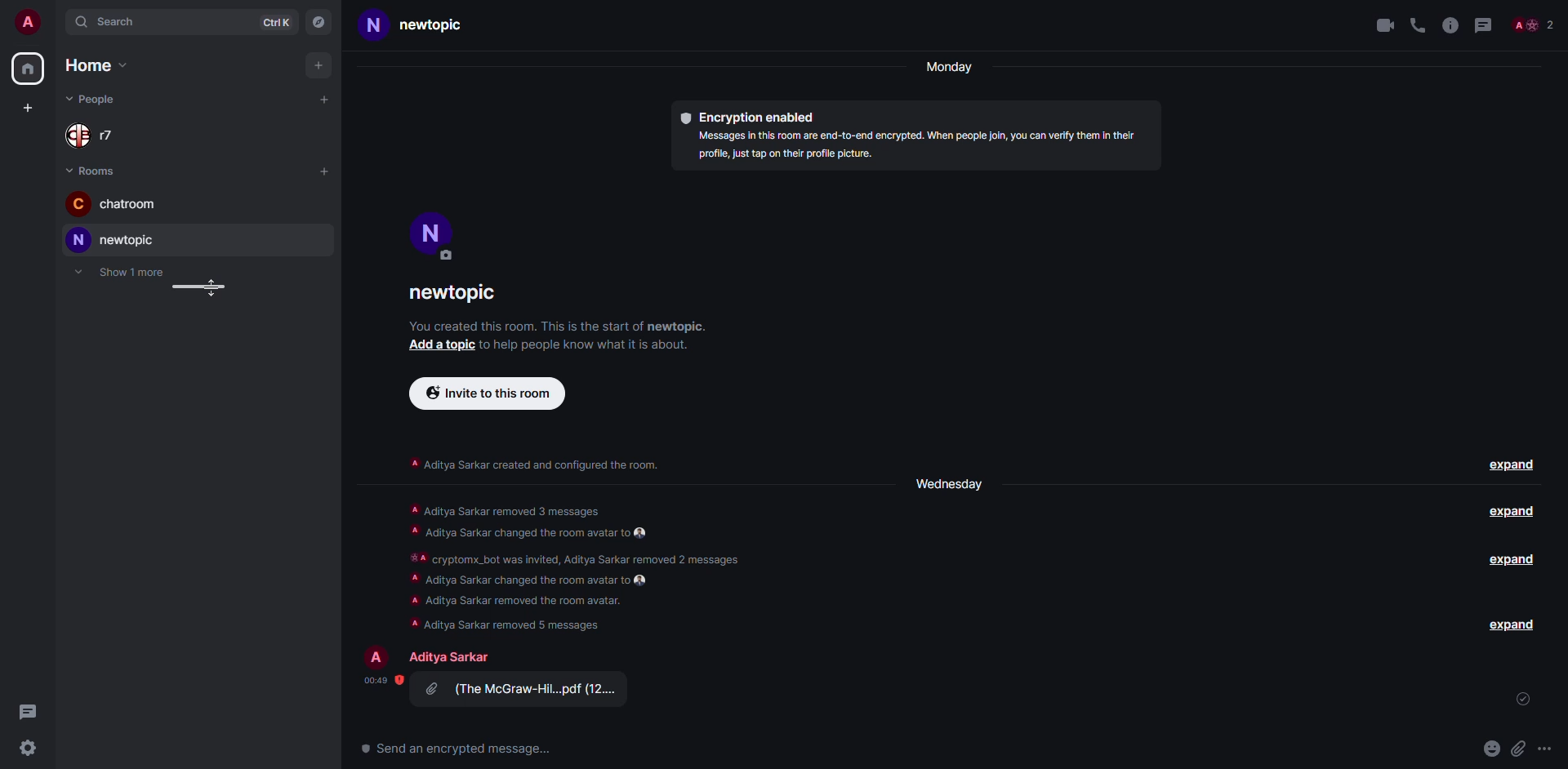  What do you see at coordinates (91, 170) in the screenshot?
I see `rooms` at bounding box center [91, 170].